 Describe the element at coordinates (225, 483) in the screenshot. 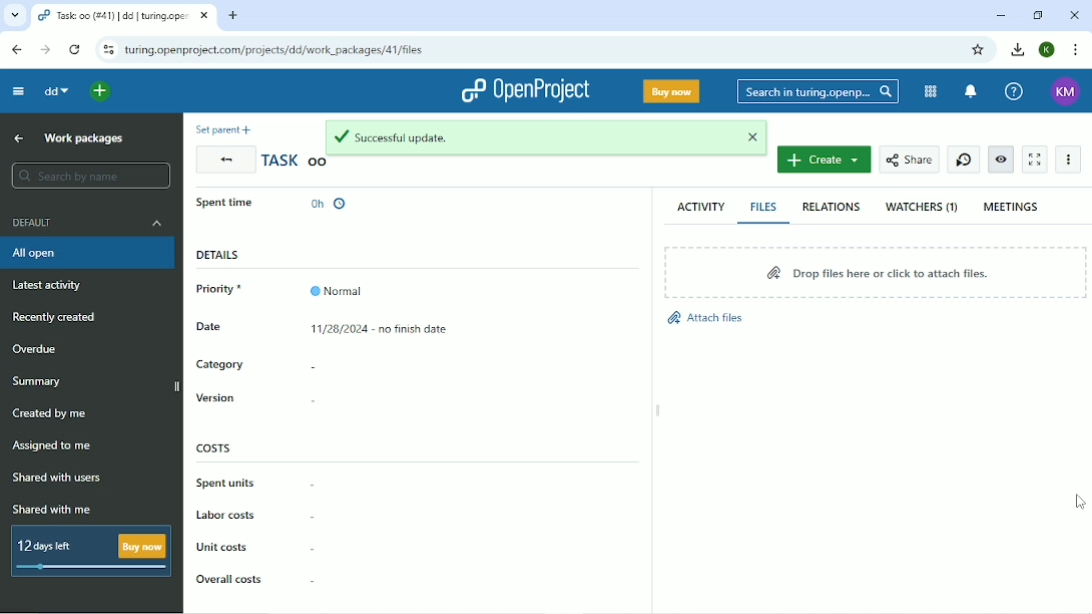

I see `Spent units` at that location.